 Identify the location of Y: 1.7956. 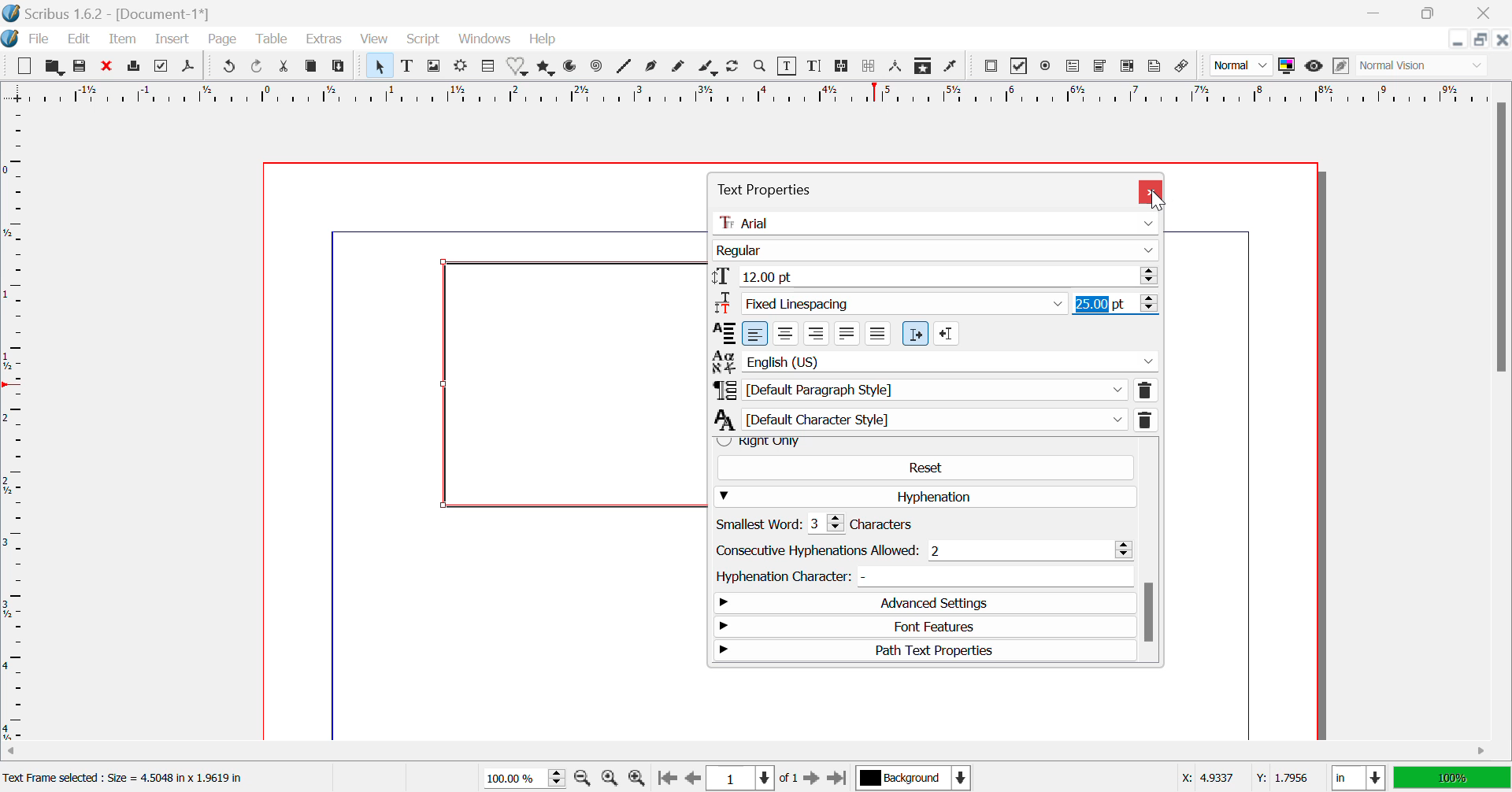
(1282, 779).